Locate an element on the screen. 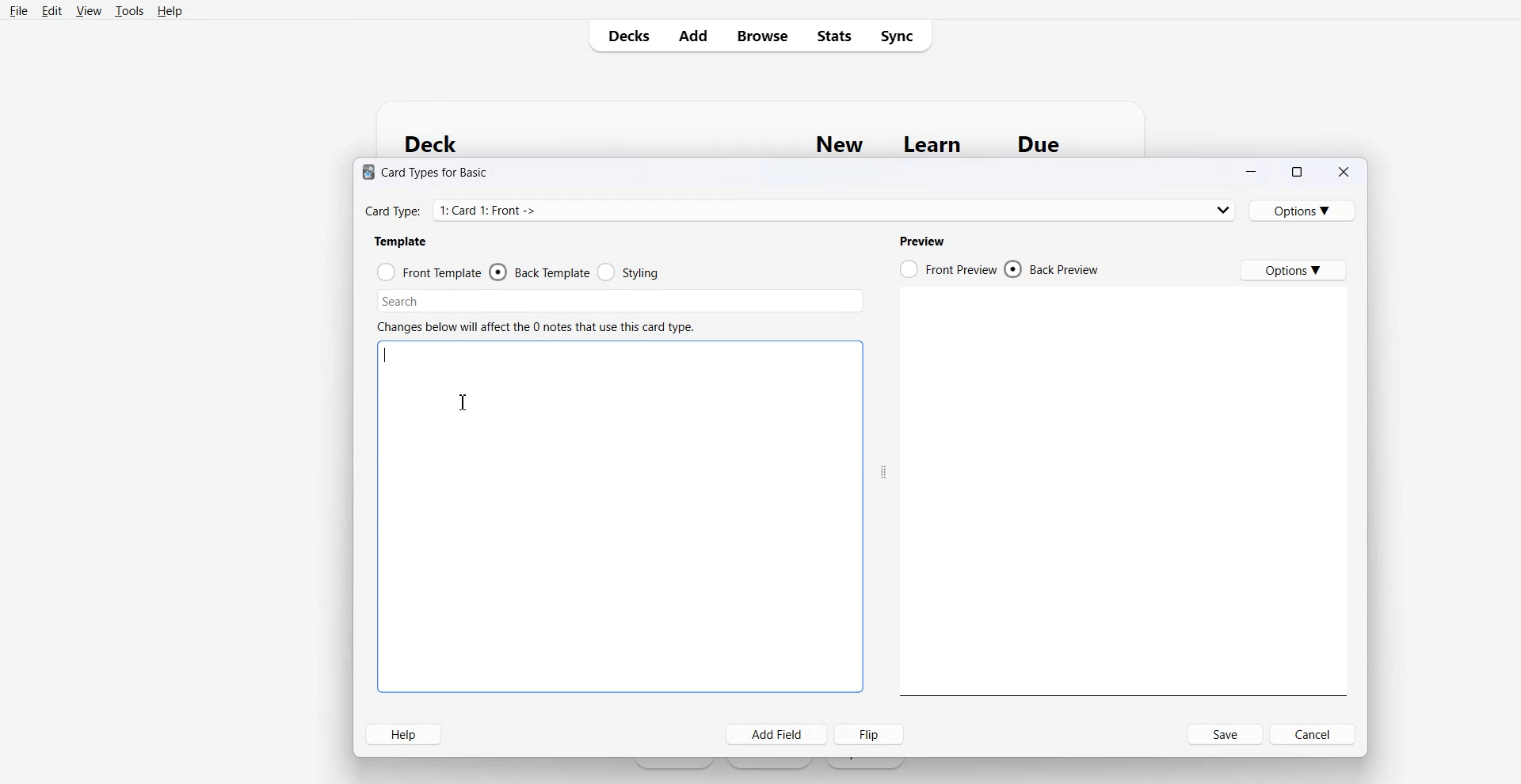  Deck is located at coordinates (439, 143).